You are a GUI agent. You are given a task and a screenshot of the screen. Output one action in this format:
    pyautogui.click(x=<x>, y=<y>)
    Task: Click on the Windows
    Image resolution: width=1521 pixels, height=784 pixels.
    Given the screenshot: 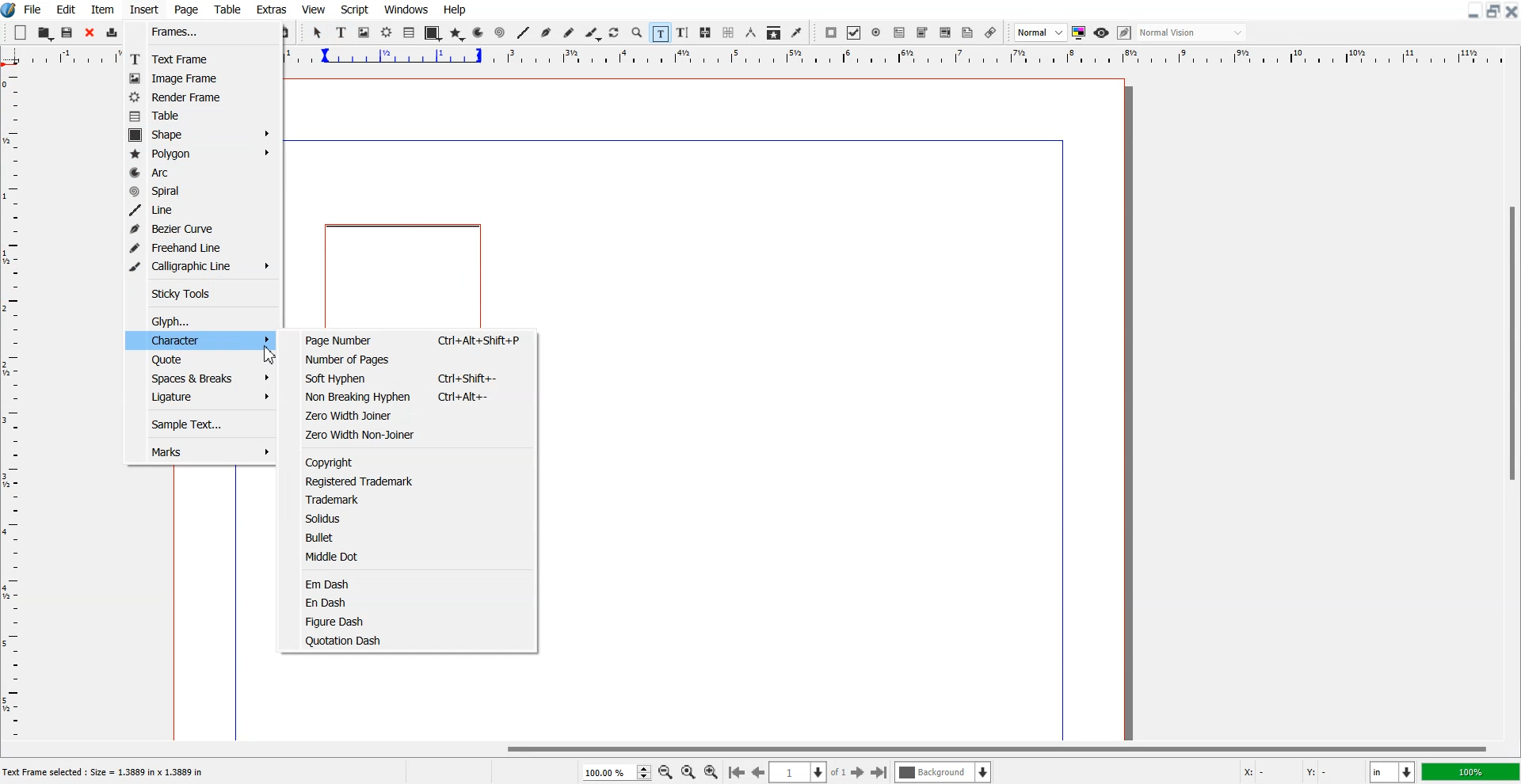 What is the action you would take?
    pyautogui.click(x=407, y=9)
    